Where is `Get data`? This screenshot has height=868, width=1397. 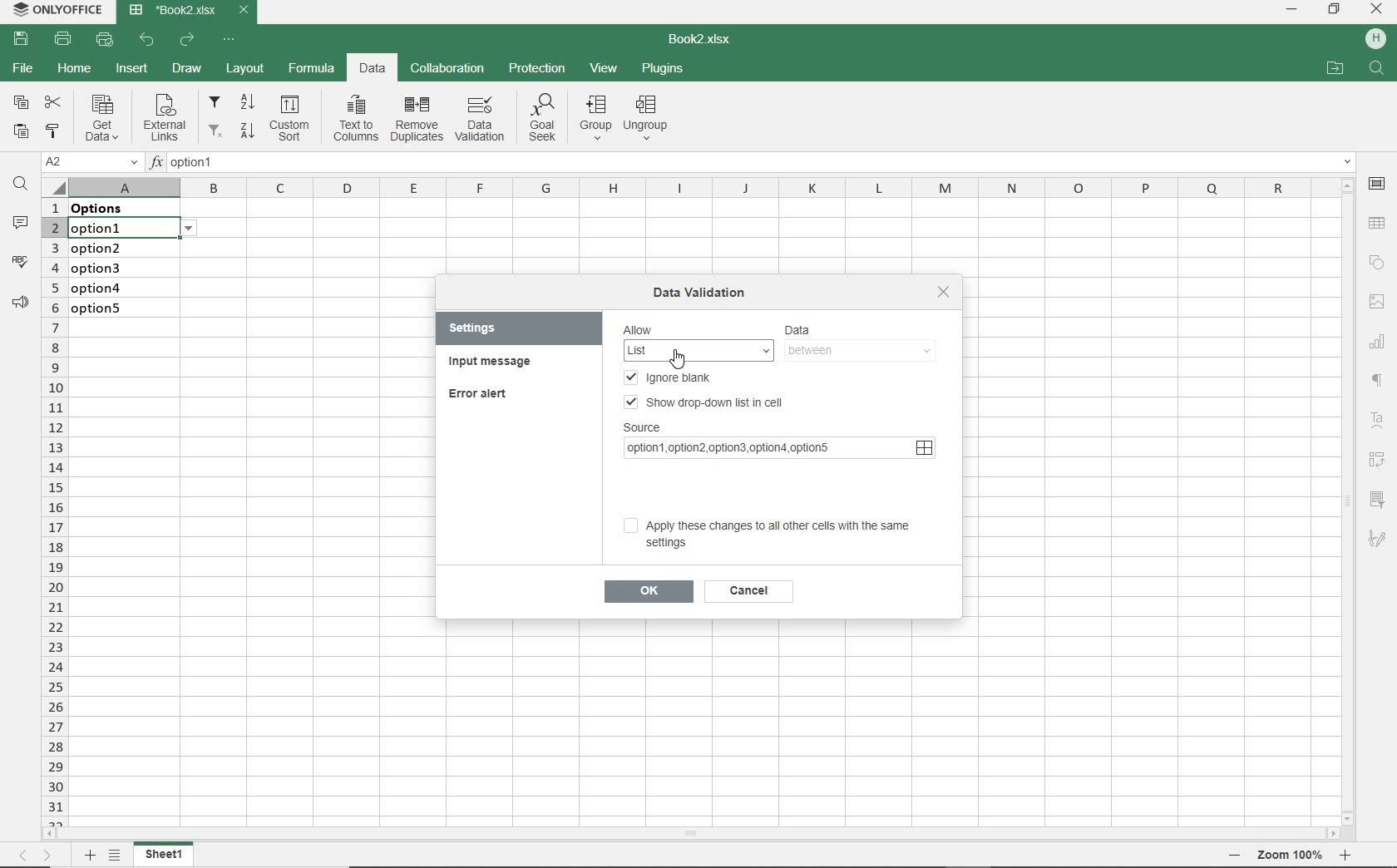
Get data is located at coordinates (100, 117).